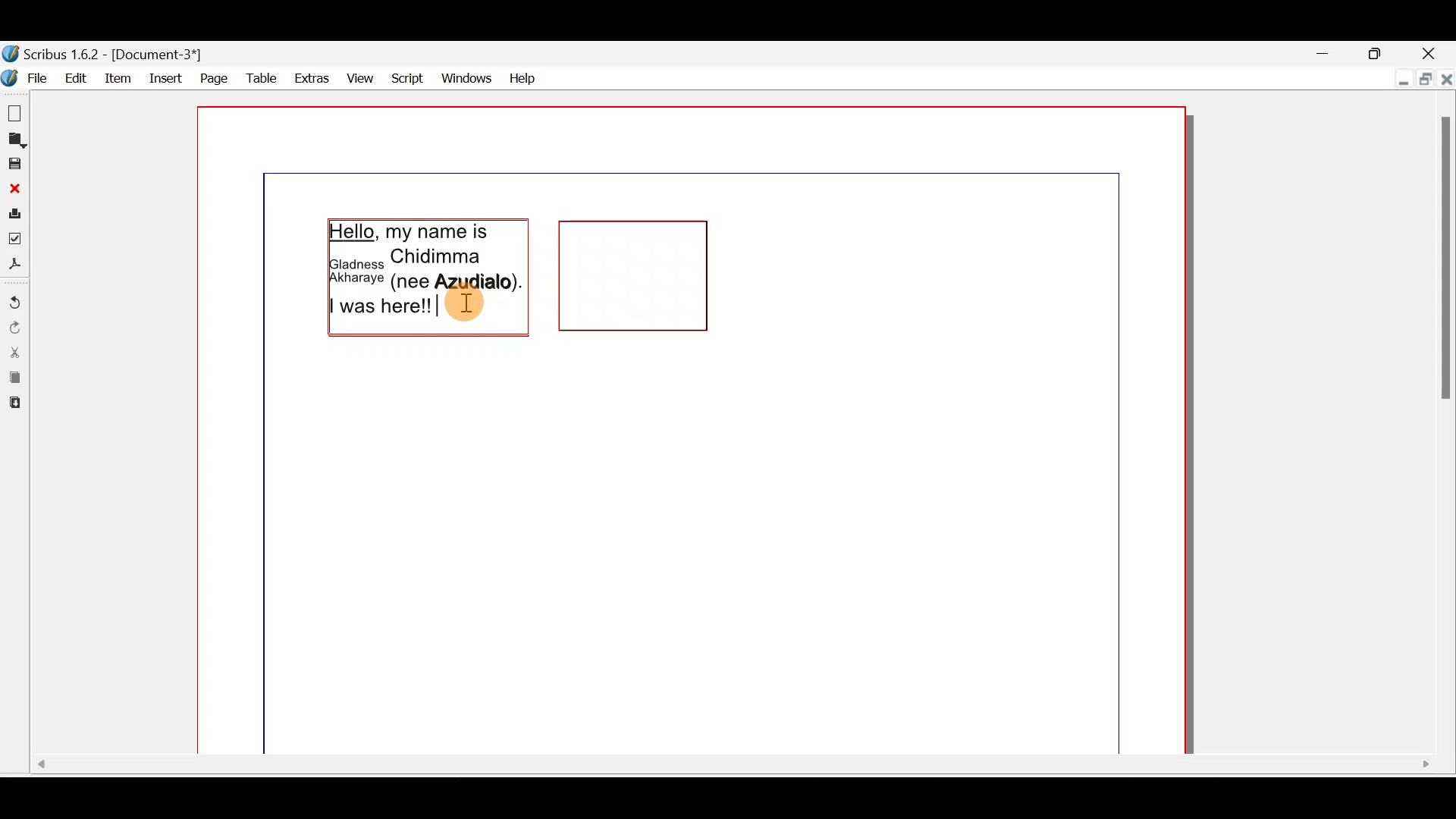  What do you see at coordinates (14, 188) in the screenshot?
I see `Close` at bounding box center [14, 188].